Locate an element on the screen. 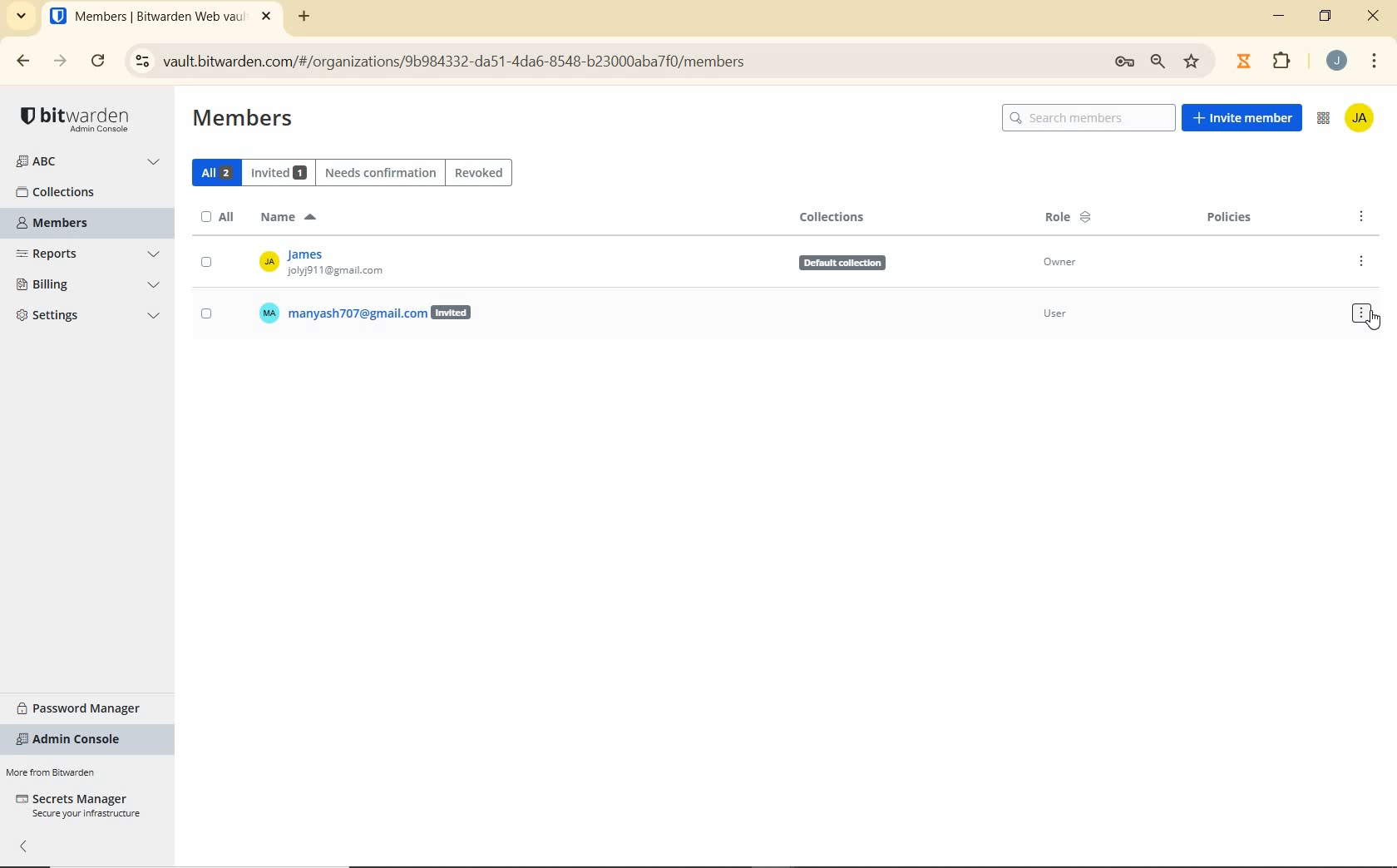 This screenshot has width=1397, height=868. OPTIONS is located at coordinates (1360, 261).